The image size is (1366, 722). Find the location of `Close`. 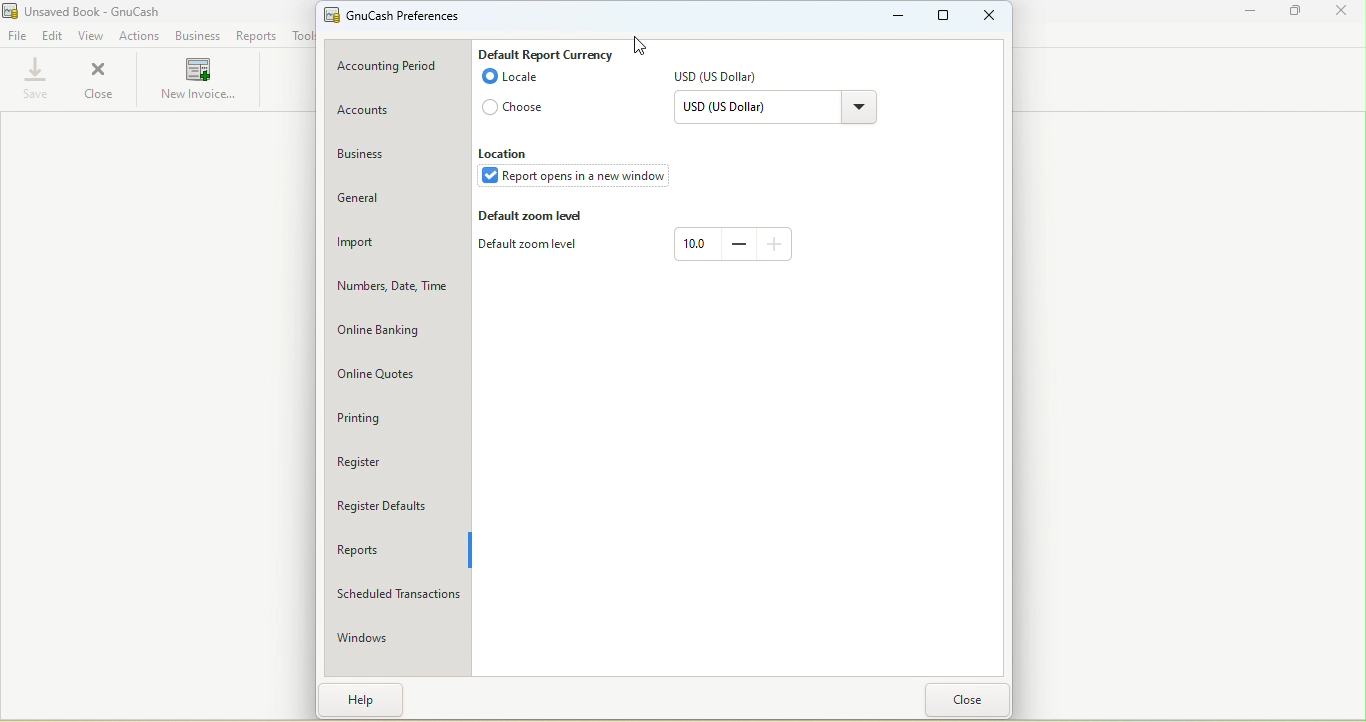

Close is located at coordinates (990, 15).